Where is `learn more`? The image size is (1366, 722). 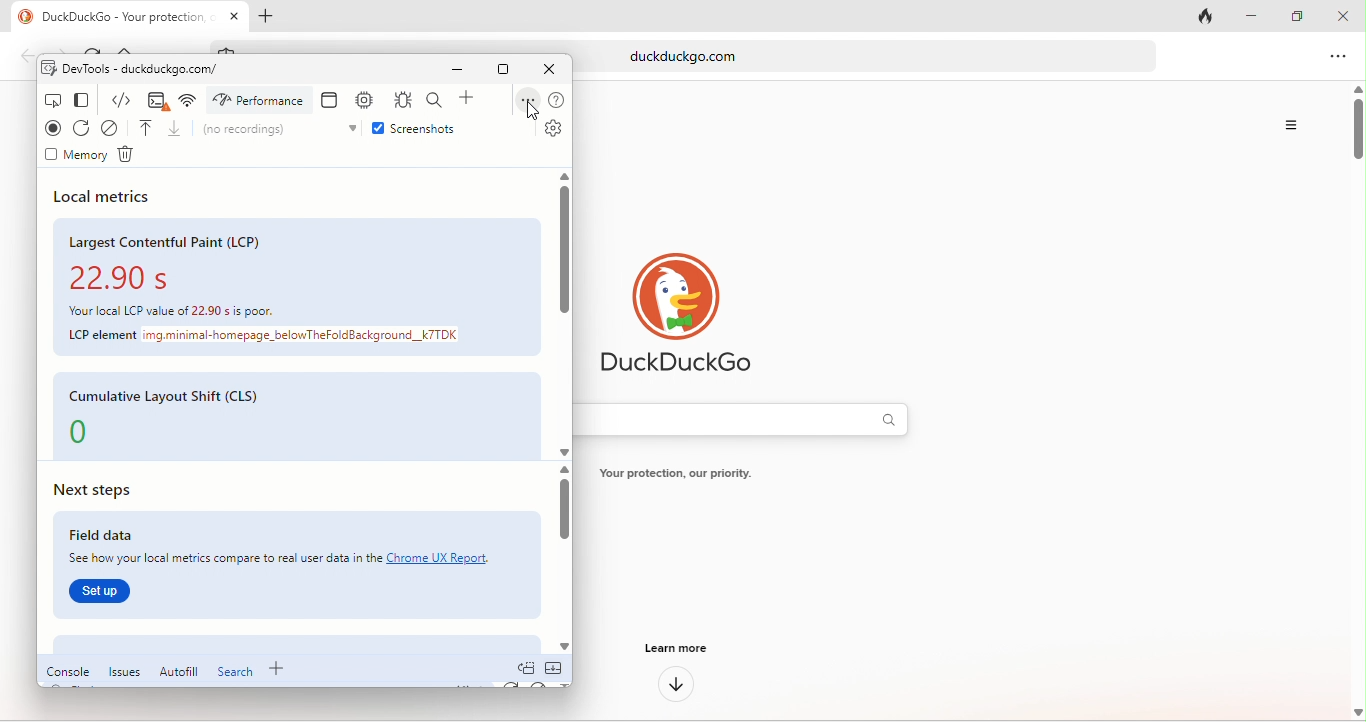 learn more is located at coordinates (673, 651).